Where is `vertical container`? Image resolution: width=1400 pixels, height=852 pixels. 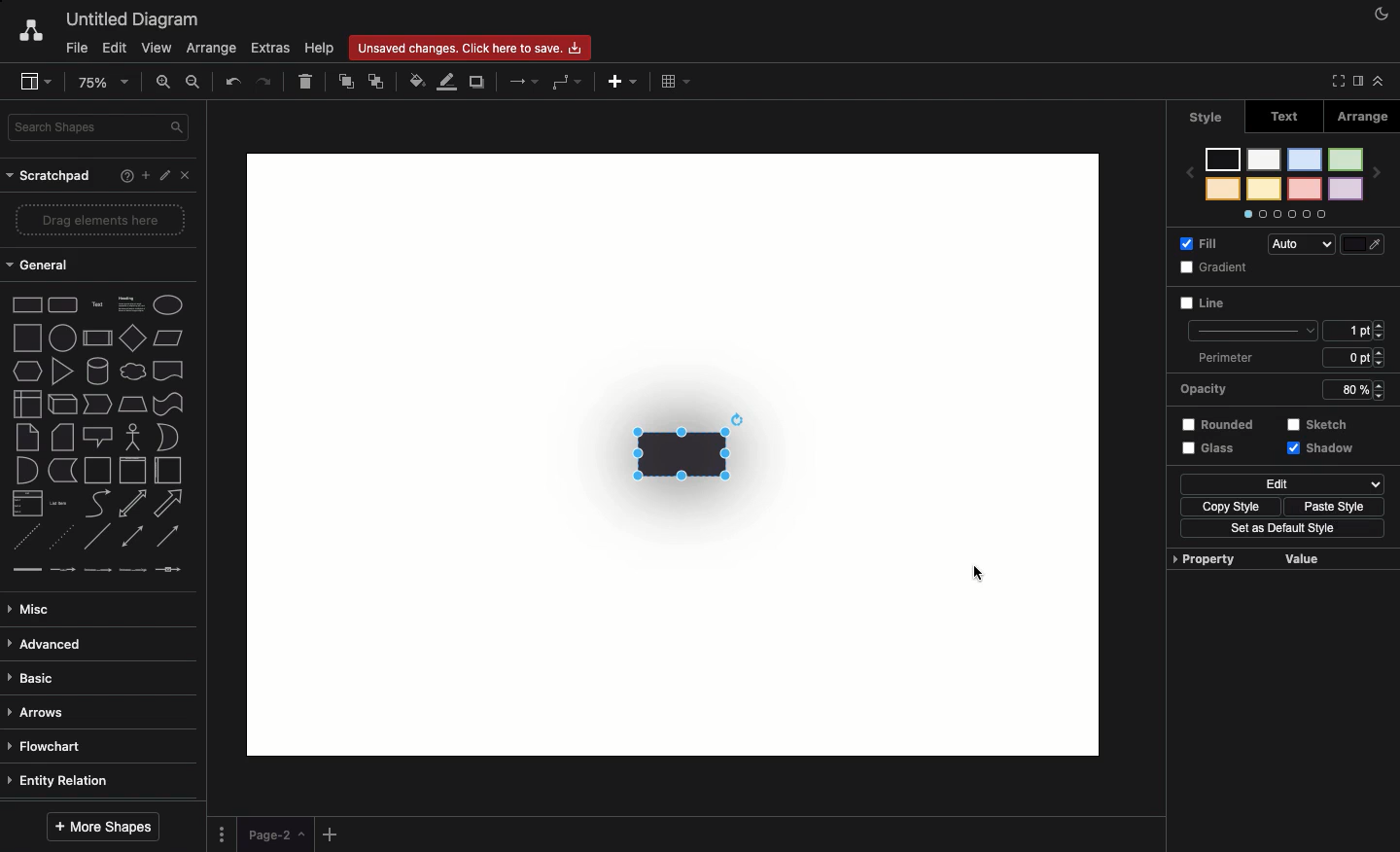
vertical container is located at coordinates (131, 472).